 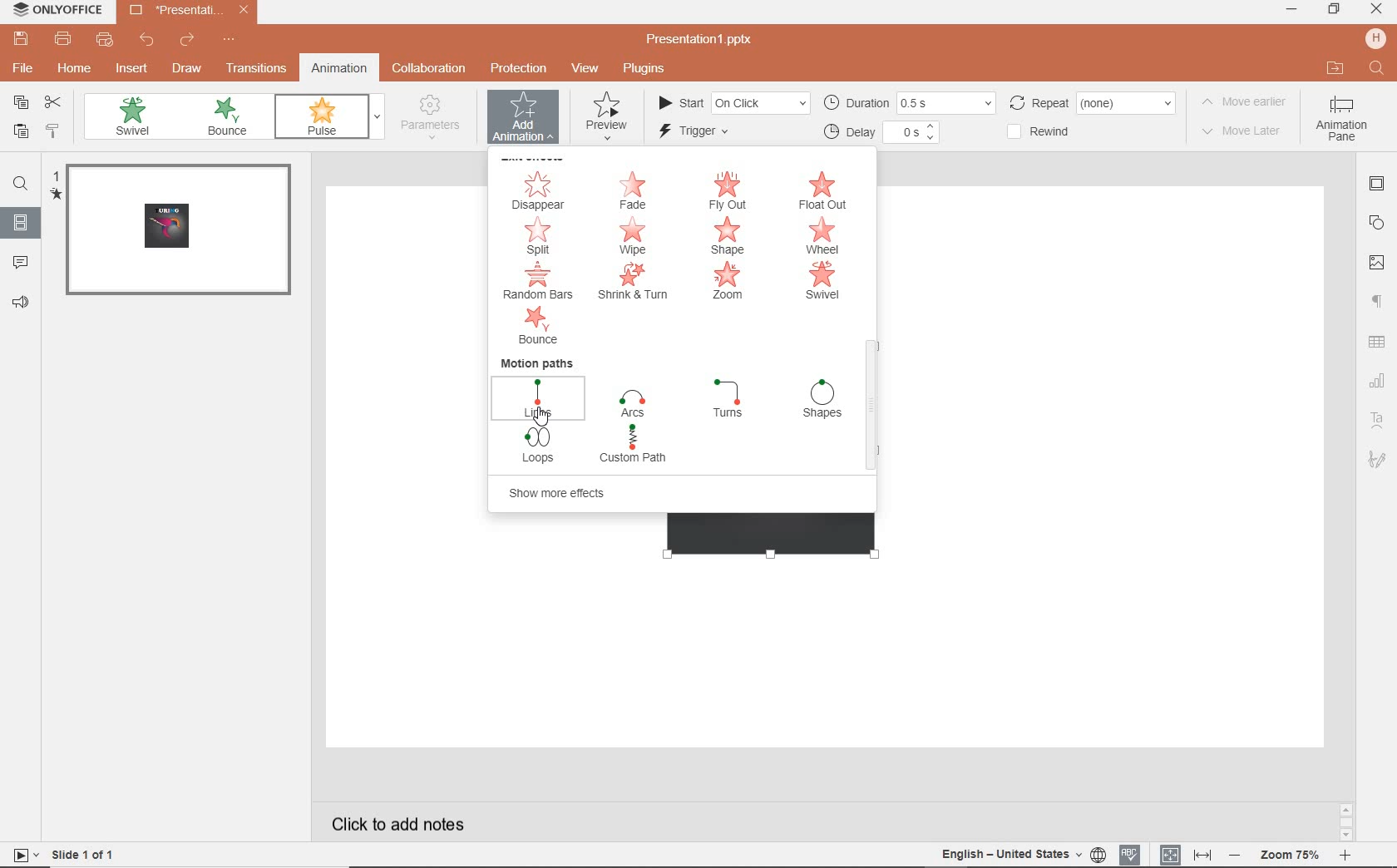 What do you see at coordinates (53, 102) in the screenshot?
I see `cut` at bounding box center [53, 102].